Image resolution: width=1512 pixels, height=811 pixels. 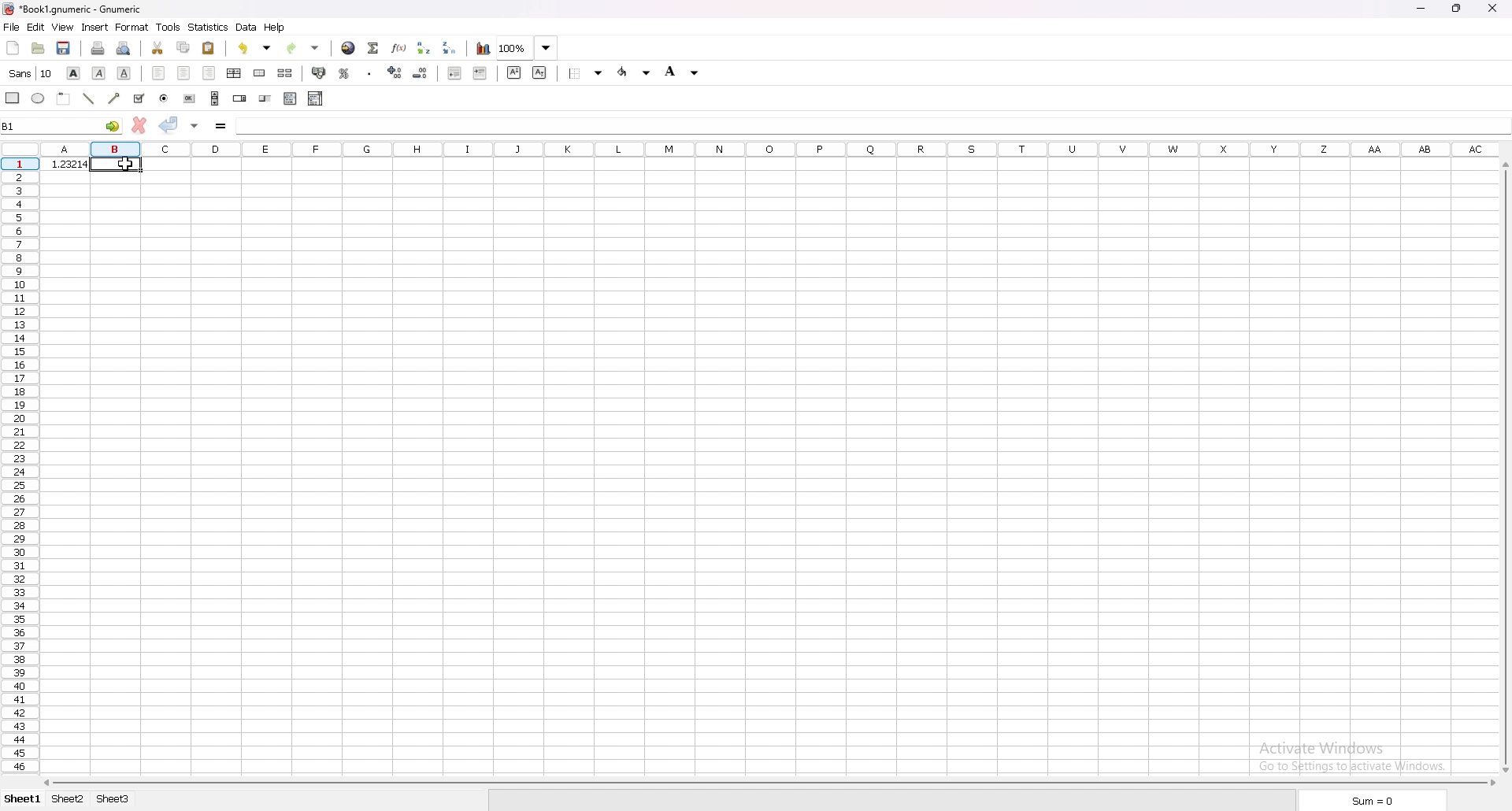 What do you see at coordinates (424, 48) in the screenshot?
I see `sort ascending` at bounding box center [424, 48].